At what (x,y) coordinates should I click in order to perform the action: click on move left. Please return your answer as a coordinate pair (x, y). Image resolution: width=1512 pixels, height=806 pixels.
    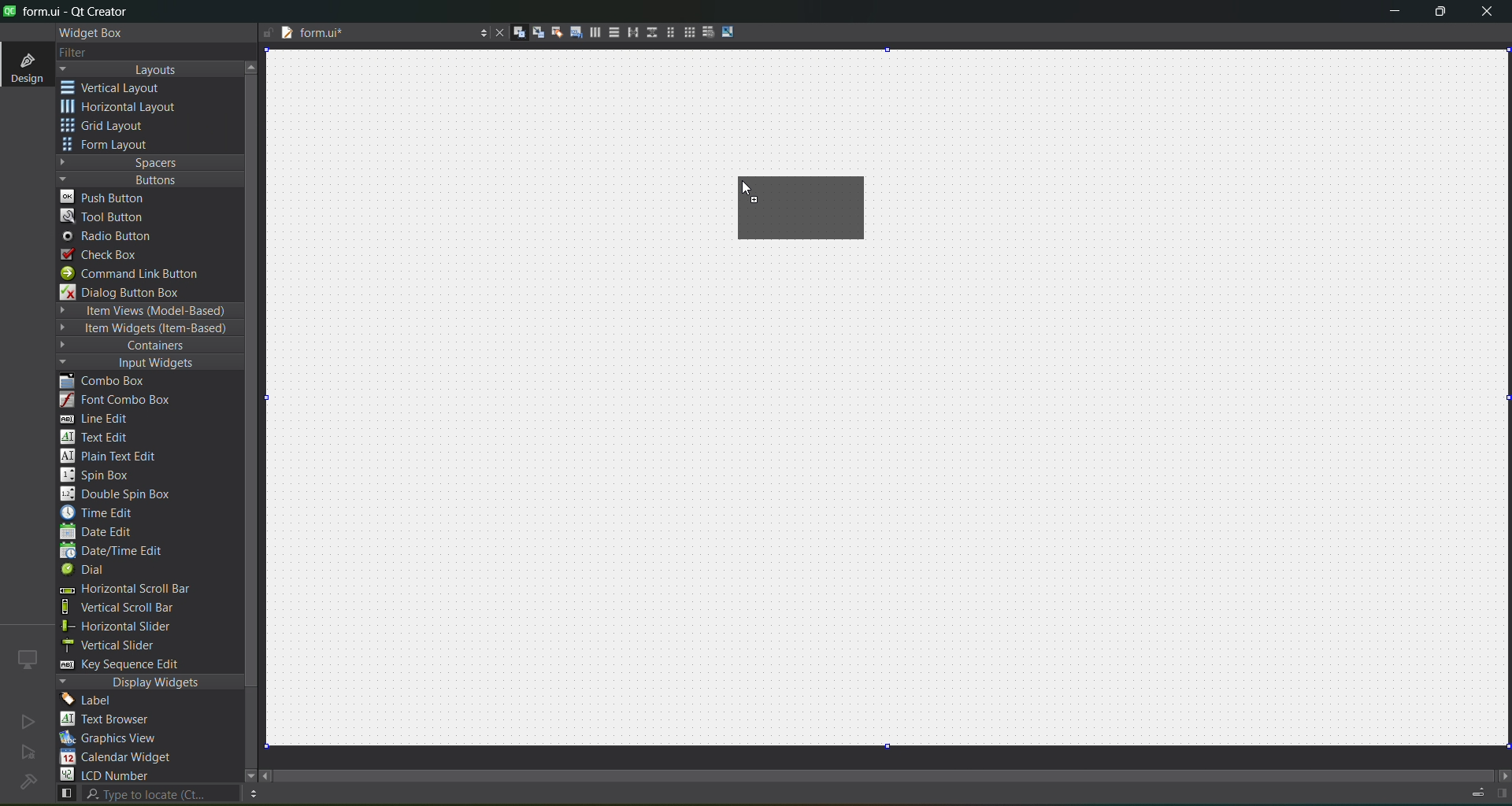
    Looking at the image, I should click on (268, 777).